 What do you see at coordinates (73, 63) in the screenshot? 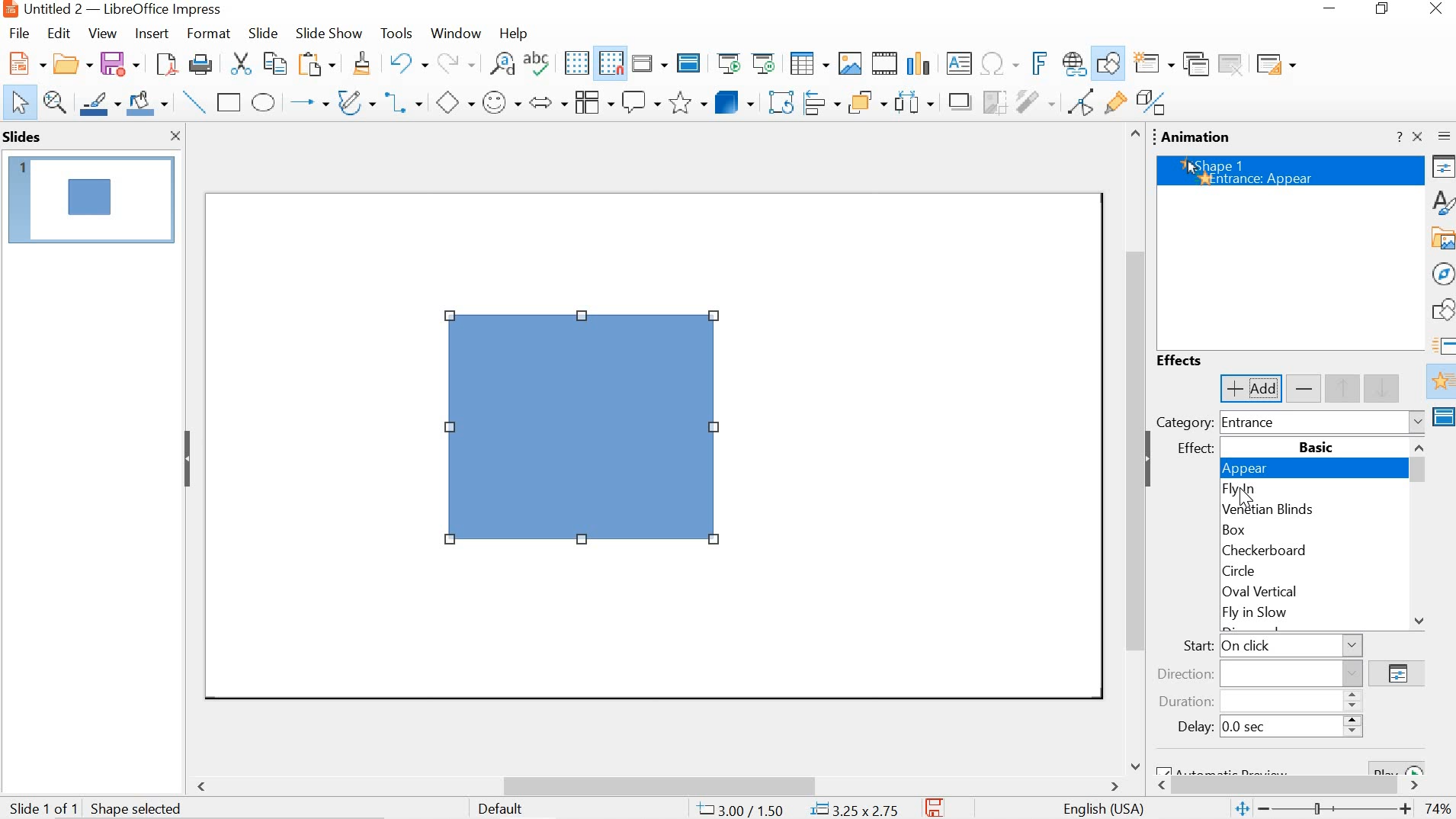
I see `new` at bounding box center [73, 63].